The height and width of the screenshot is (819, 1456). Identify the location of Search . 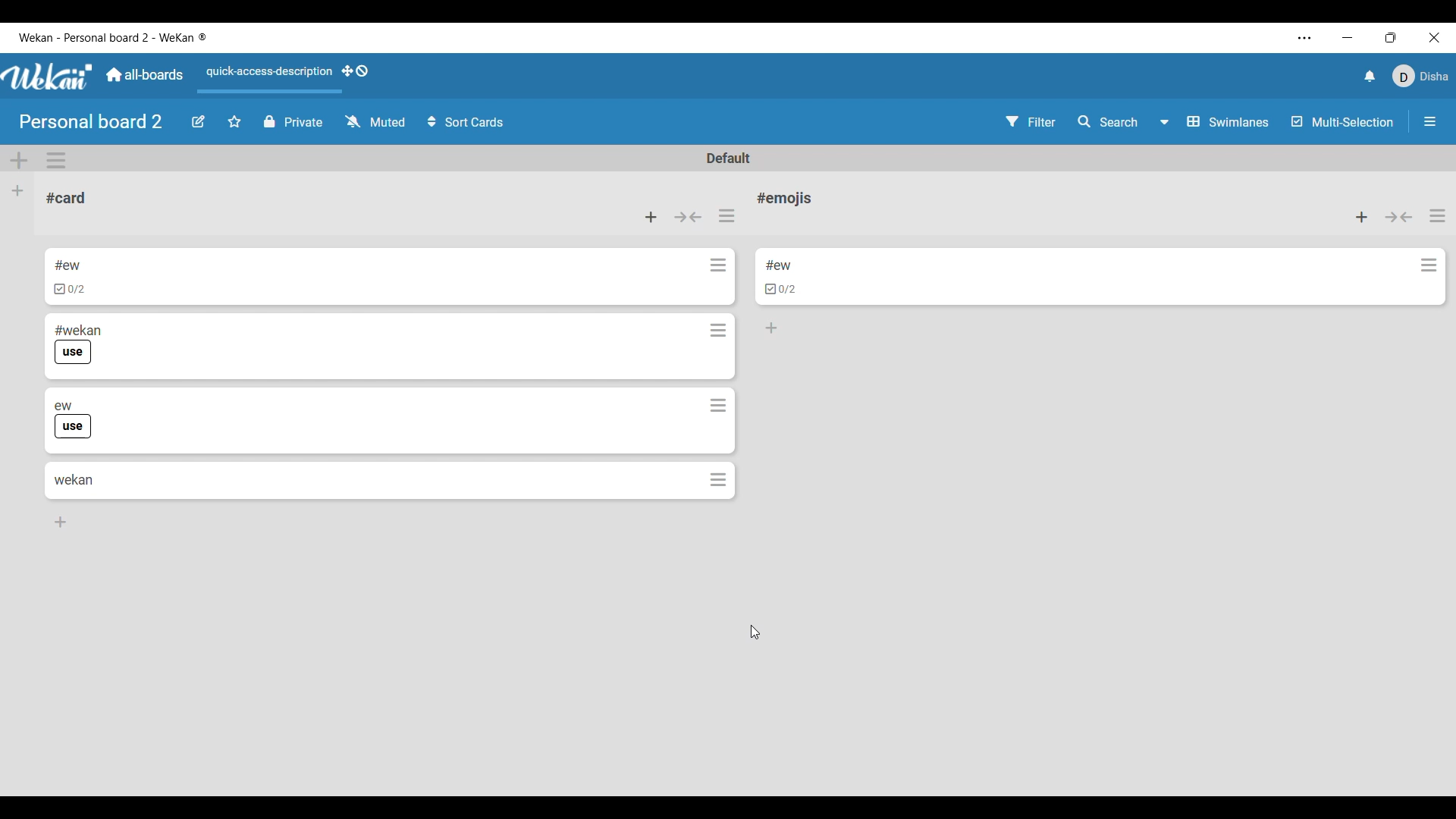
(1108, 122).